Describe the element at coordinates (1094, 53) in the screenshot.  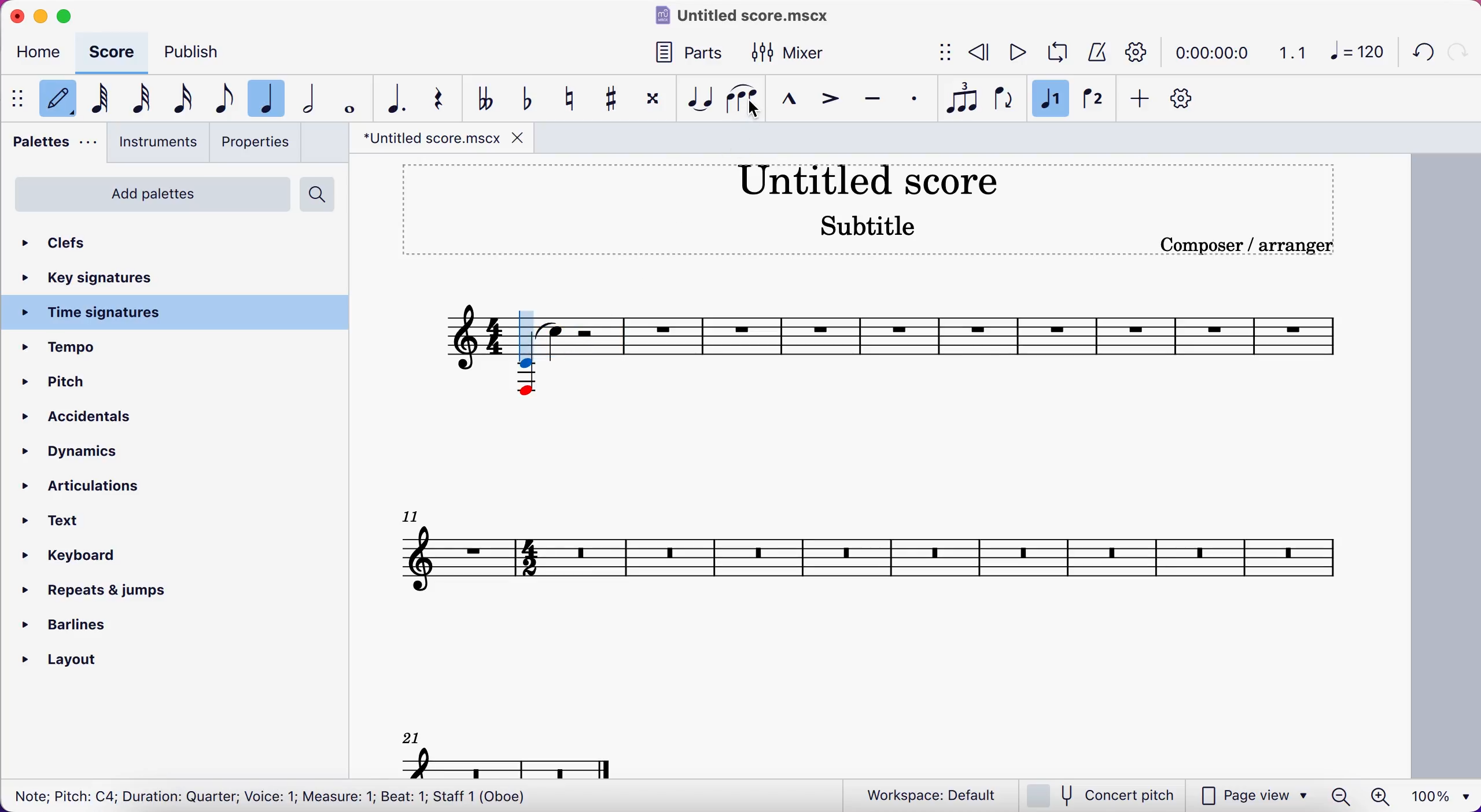
I see `metronome` at that location.